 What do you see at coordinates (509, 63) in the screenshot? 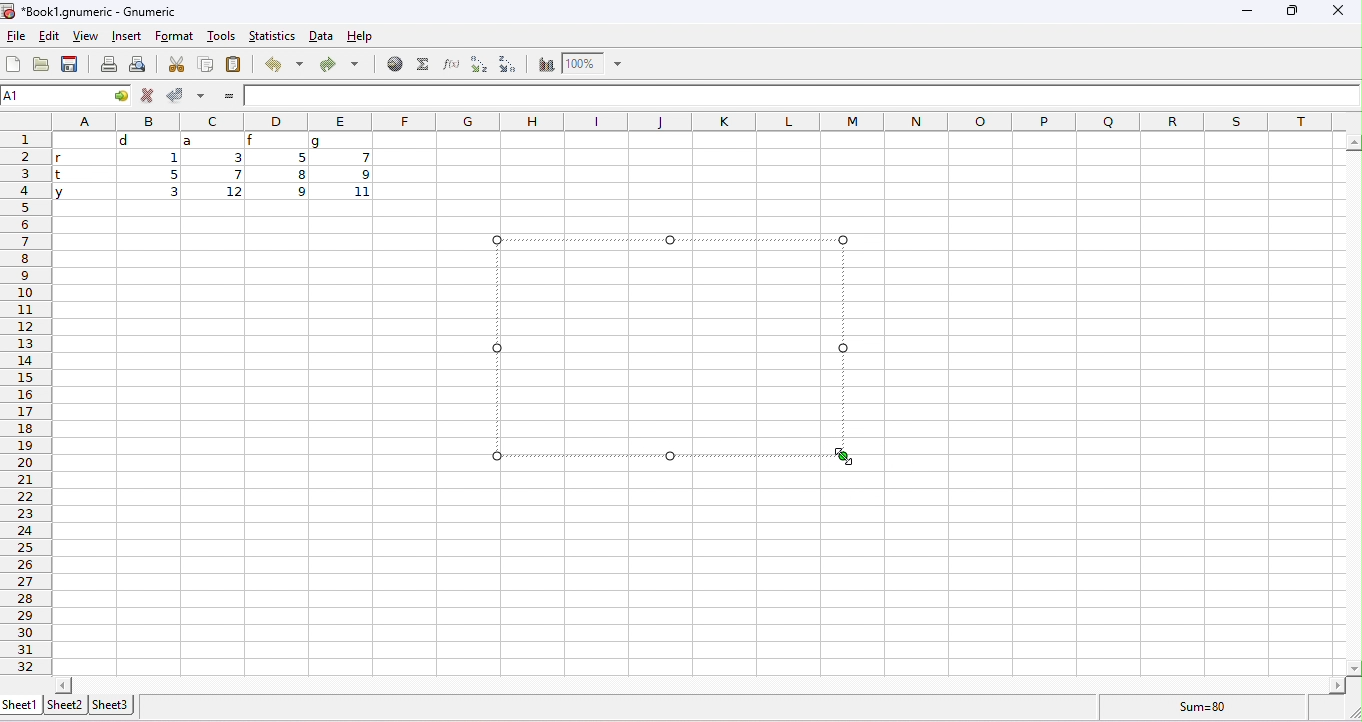
I see `sort descending` at bounding box center [509, 63].